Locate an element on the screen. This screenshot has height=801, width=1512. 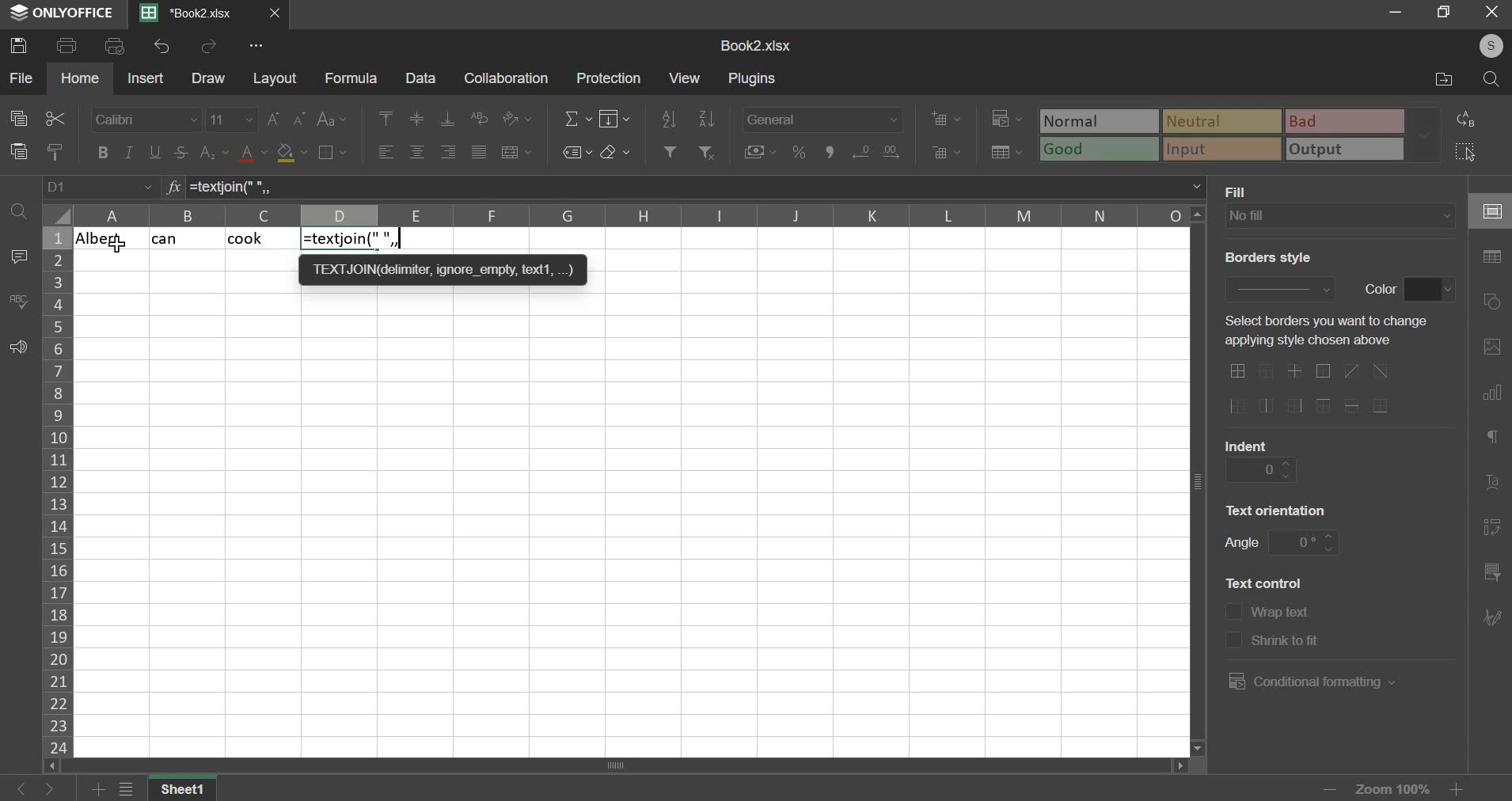
sheet name is located at coordinates (188, 790).